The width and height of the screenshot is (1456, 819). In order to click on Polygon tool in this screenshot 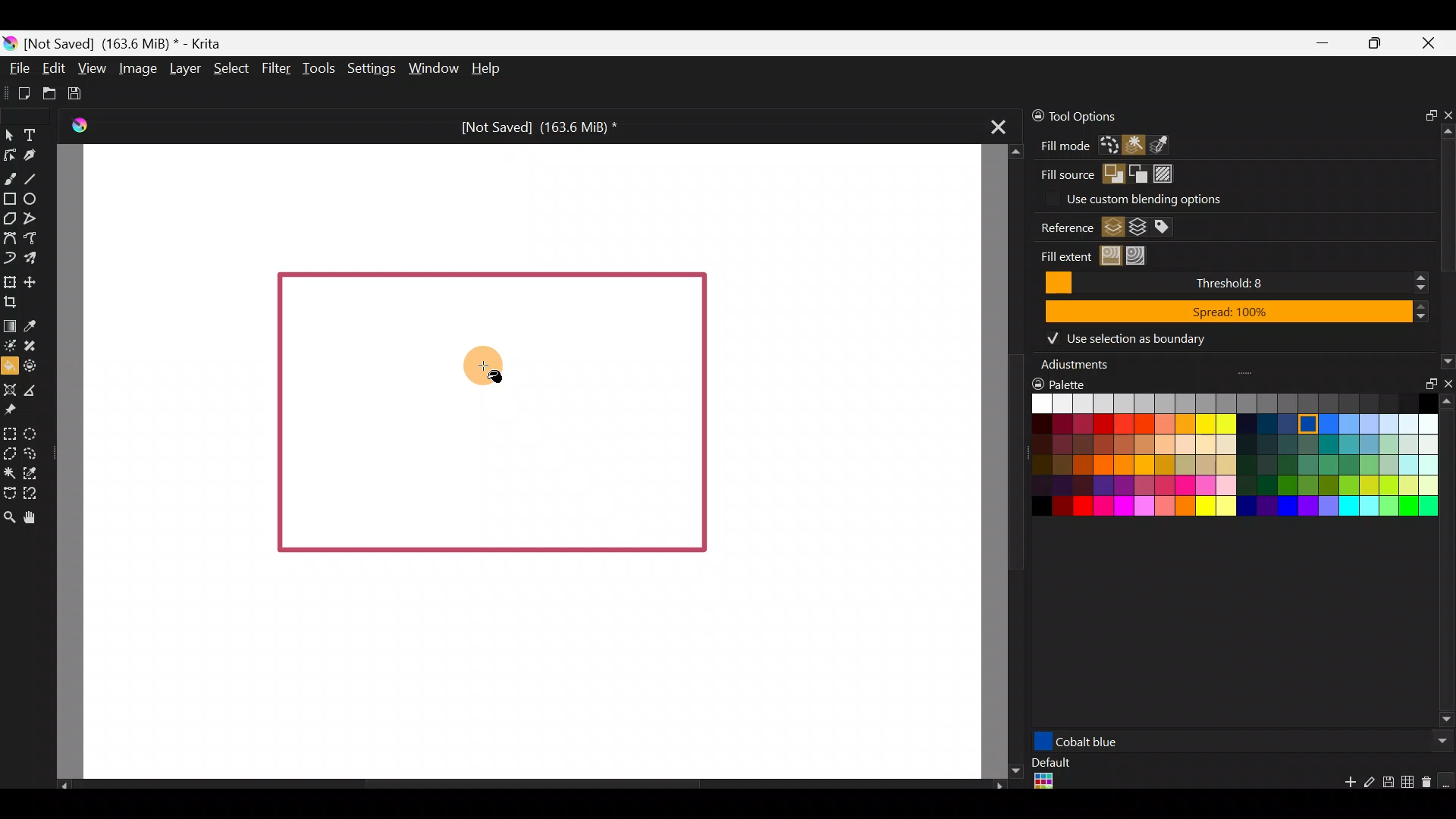, I will do `click(10, 218)`.